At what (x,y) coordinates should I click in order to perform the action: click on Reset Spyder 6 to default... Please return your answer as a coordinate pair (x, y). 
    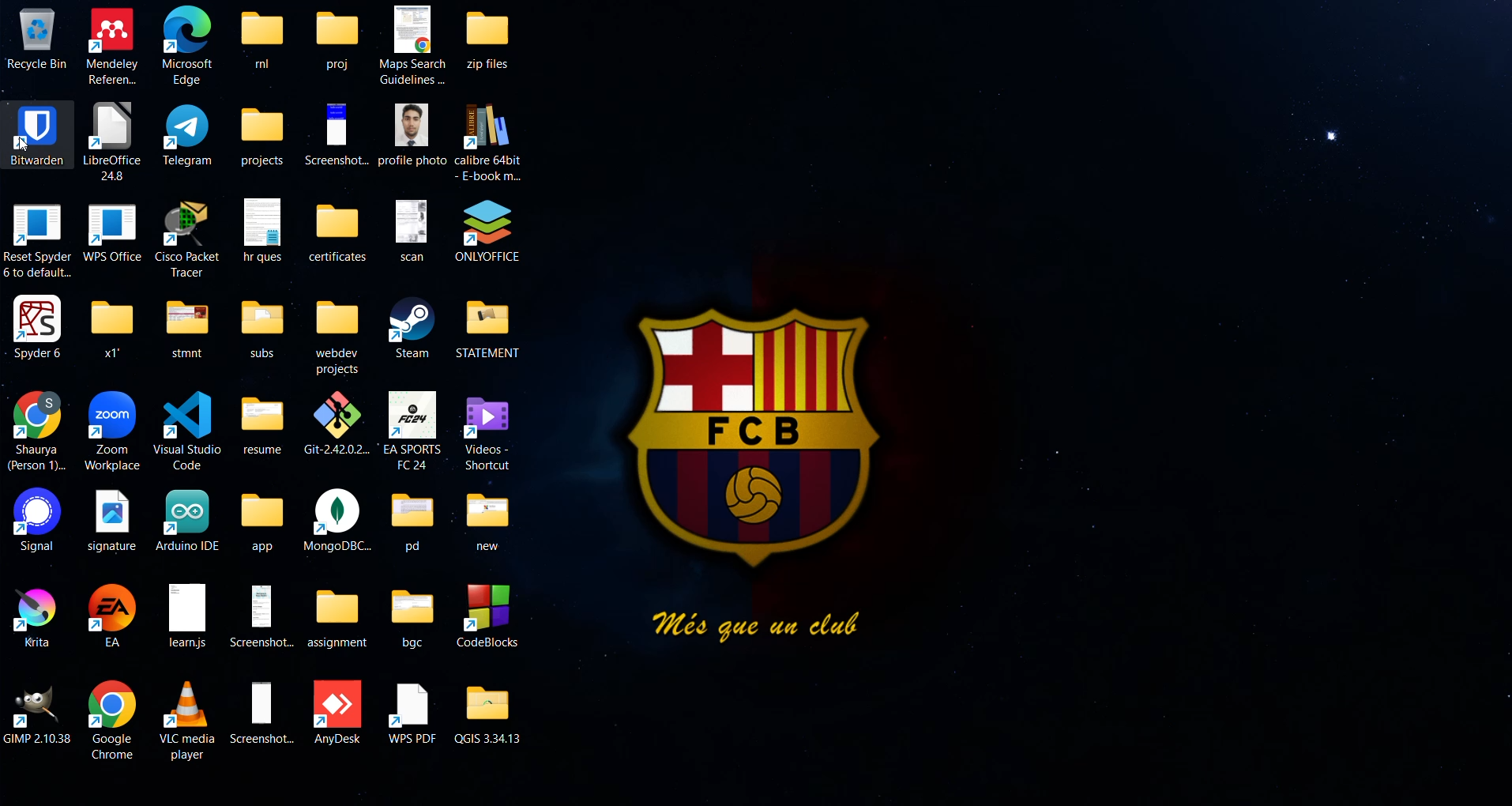
    Looking at the image, I should click on (37, 240).